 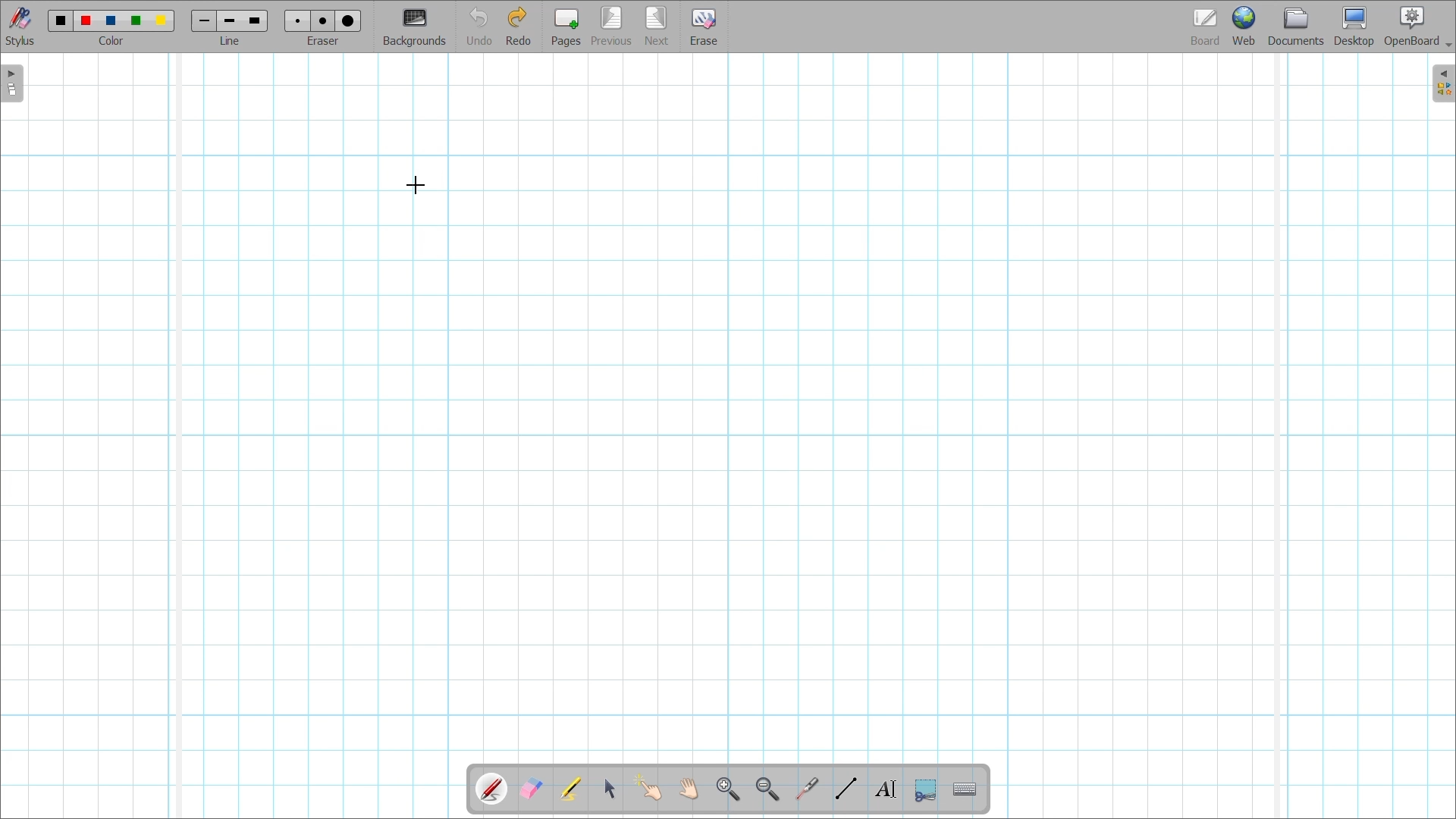 I want to click on Redo, so click(x=519, y=26).